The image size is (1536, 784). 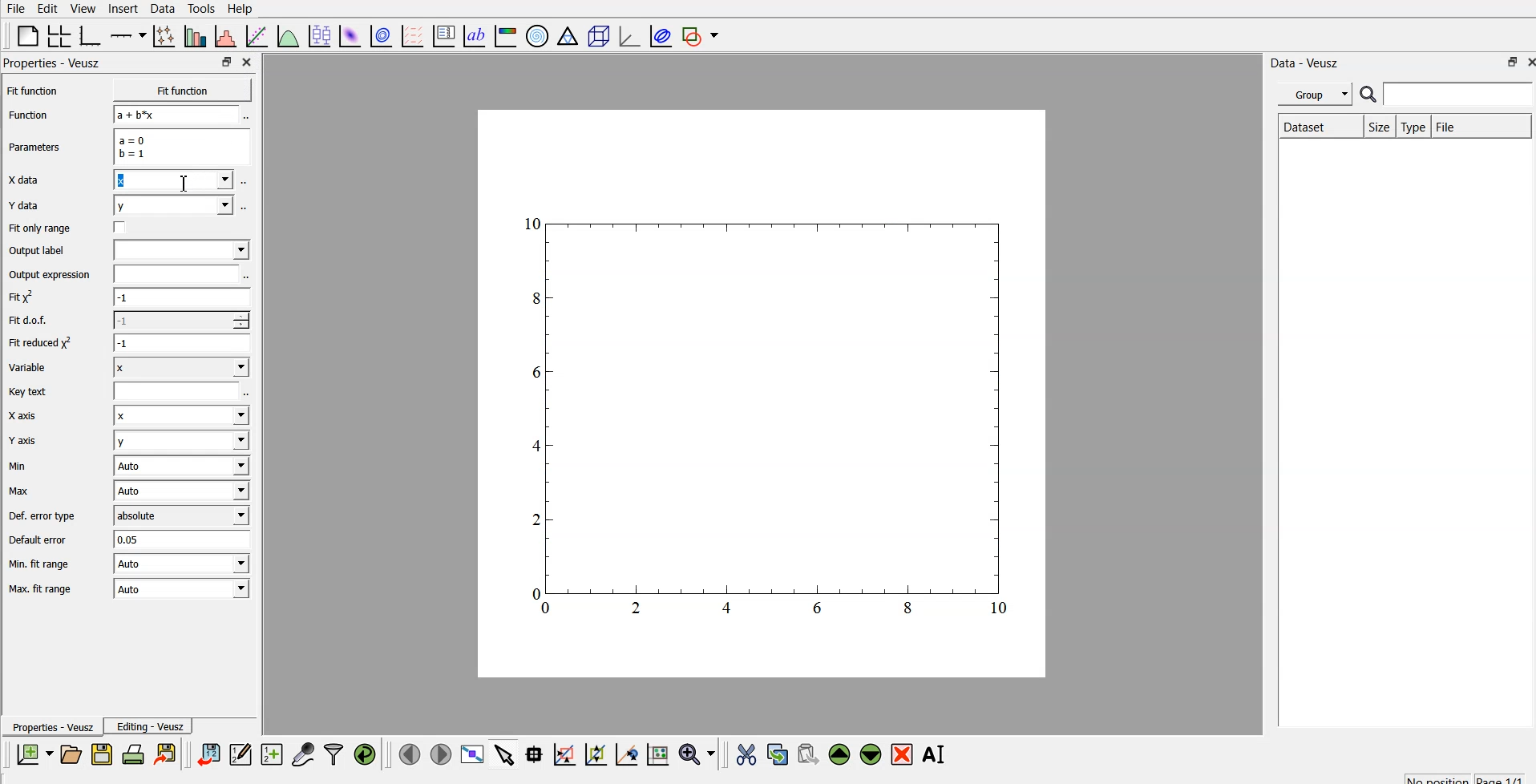 I want to click on plot covariance ellipse, so click(x=663, y=38).